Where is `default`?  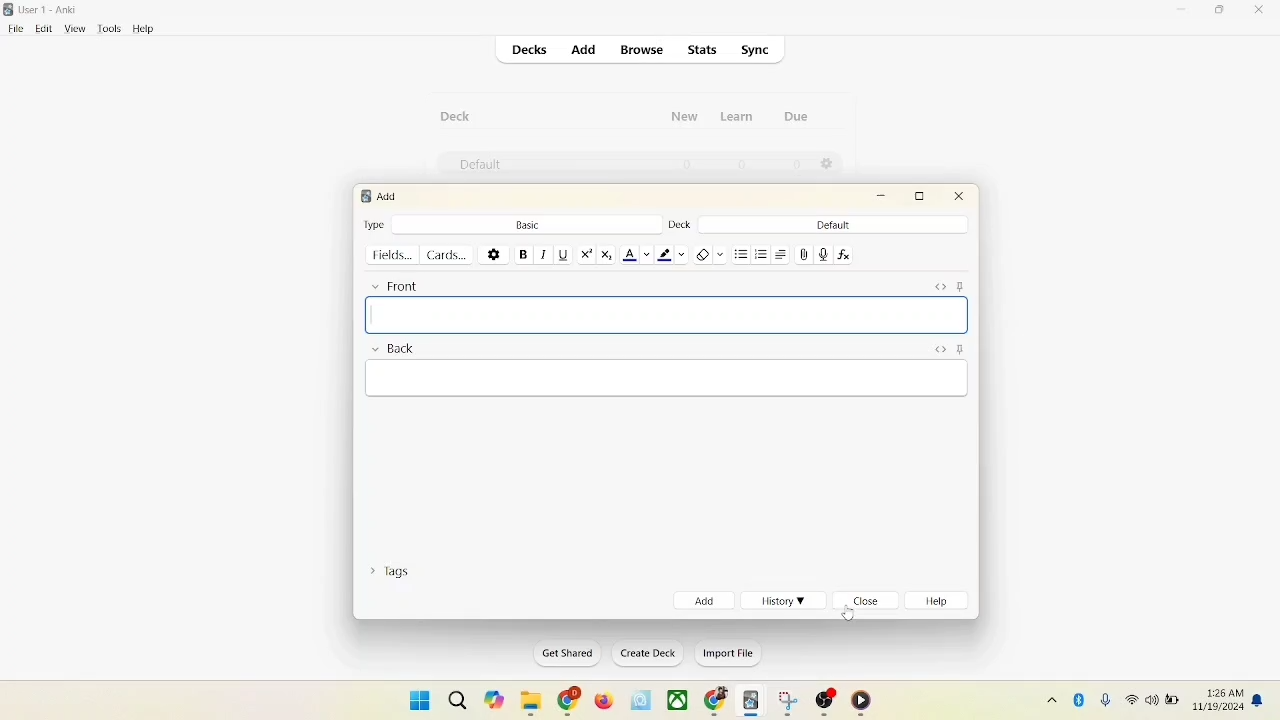 default is located at coordinates (475, 166).